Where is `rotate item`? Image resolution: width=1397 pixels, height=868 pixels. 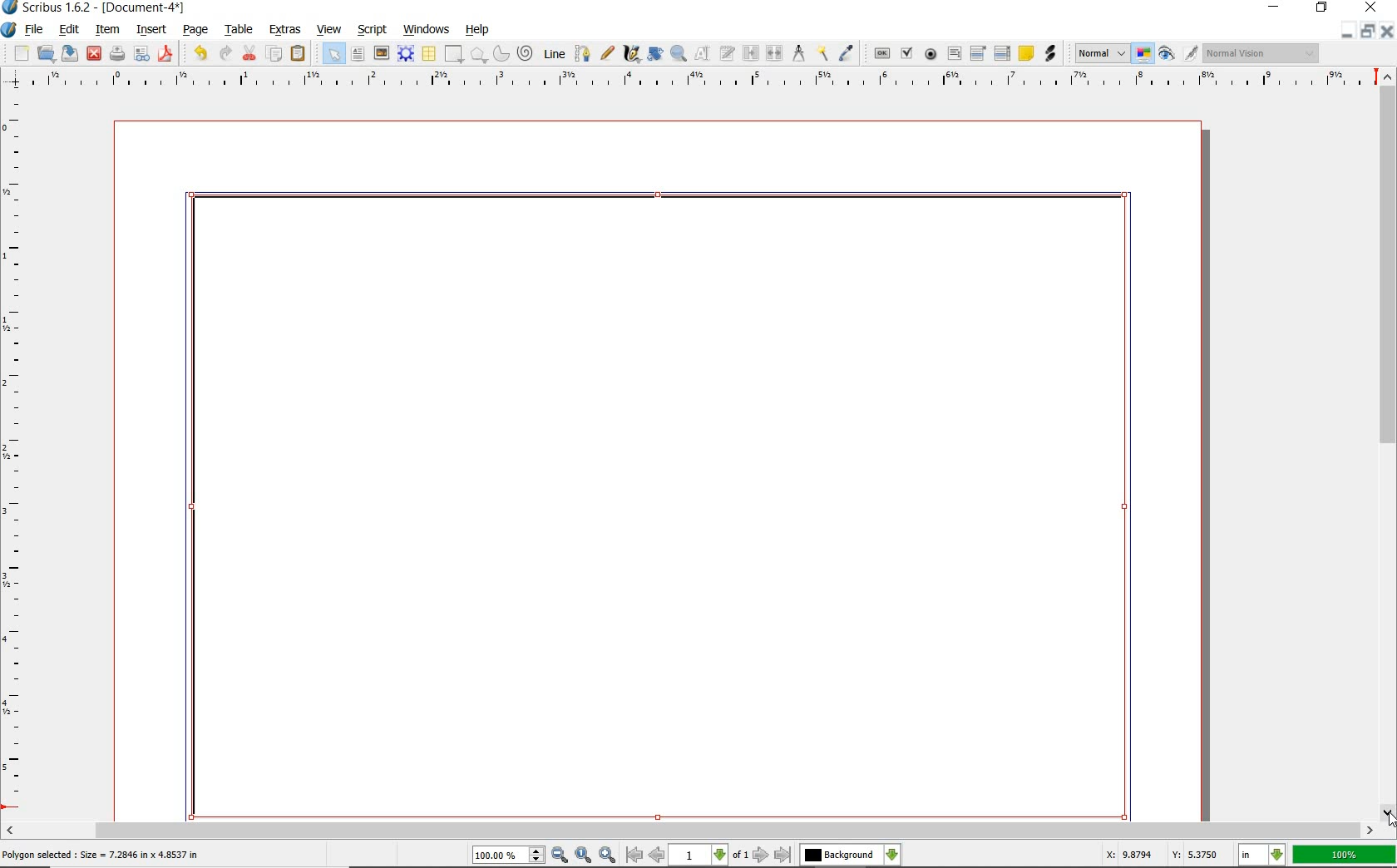 rotate item is located at coordinates (654, 55).